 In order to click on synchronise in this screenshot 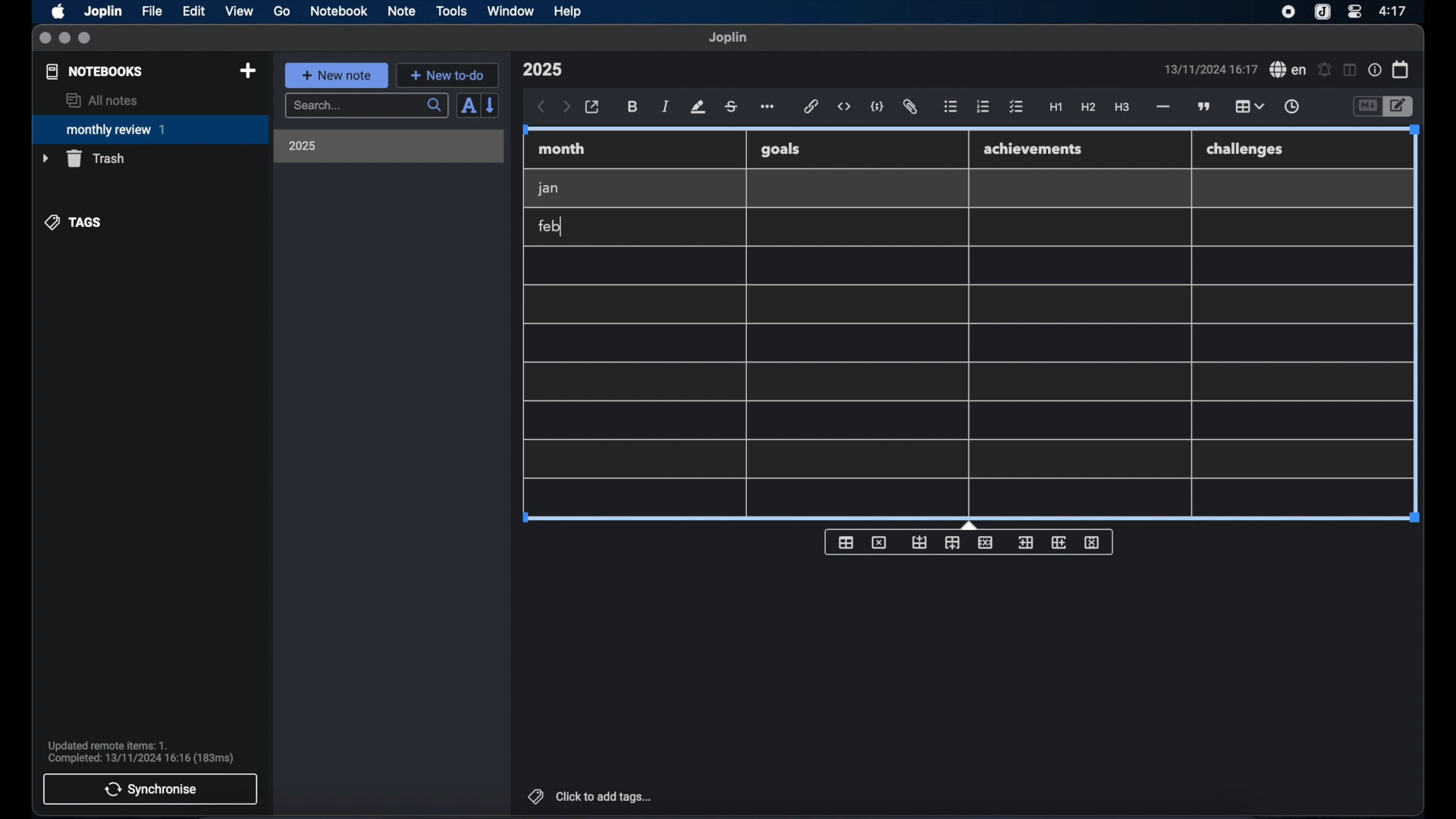, I will do `click(150, 789)`.